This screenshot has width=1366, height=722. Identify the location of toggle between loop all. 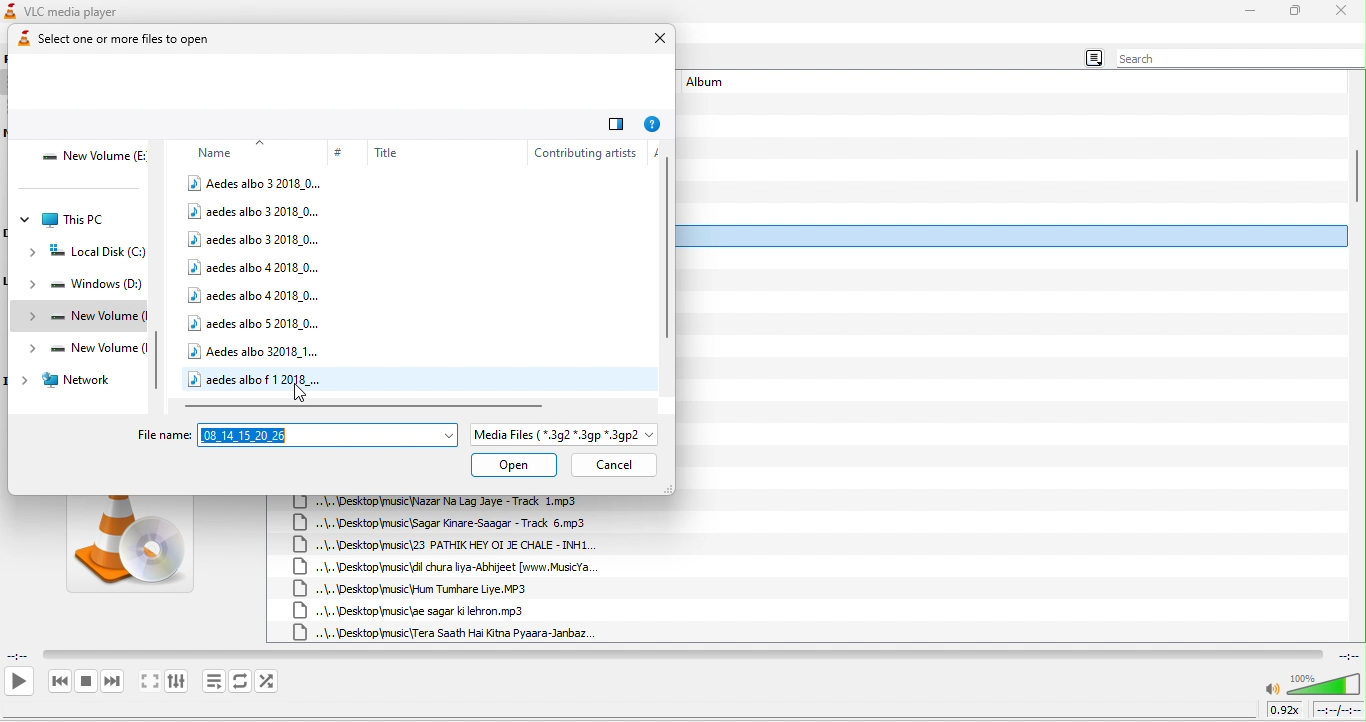
(241, 681).